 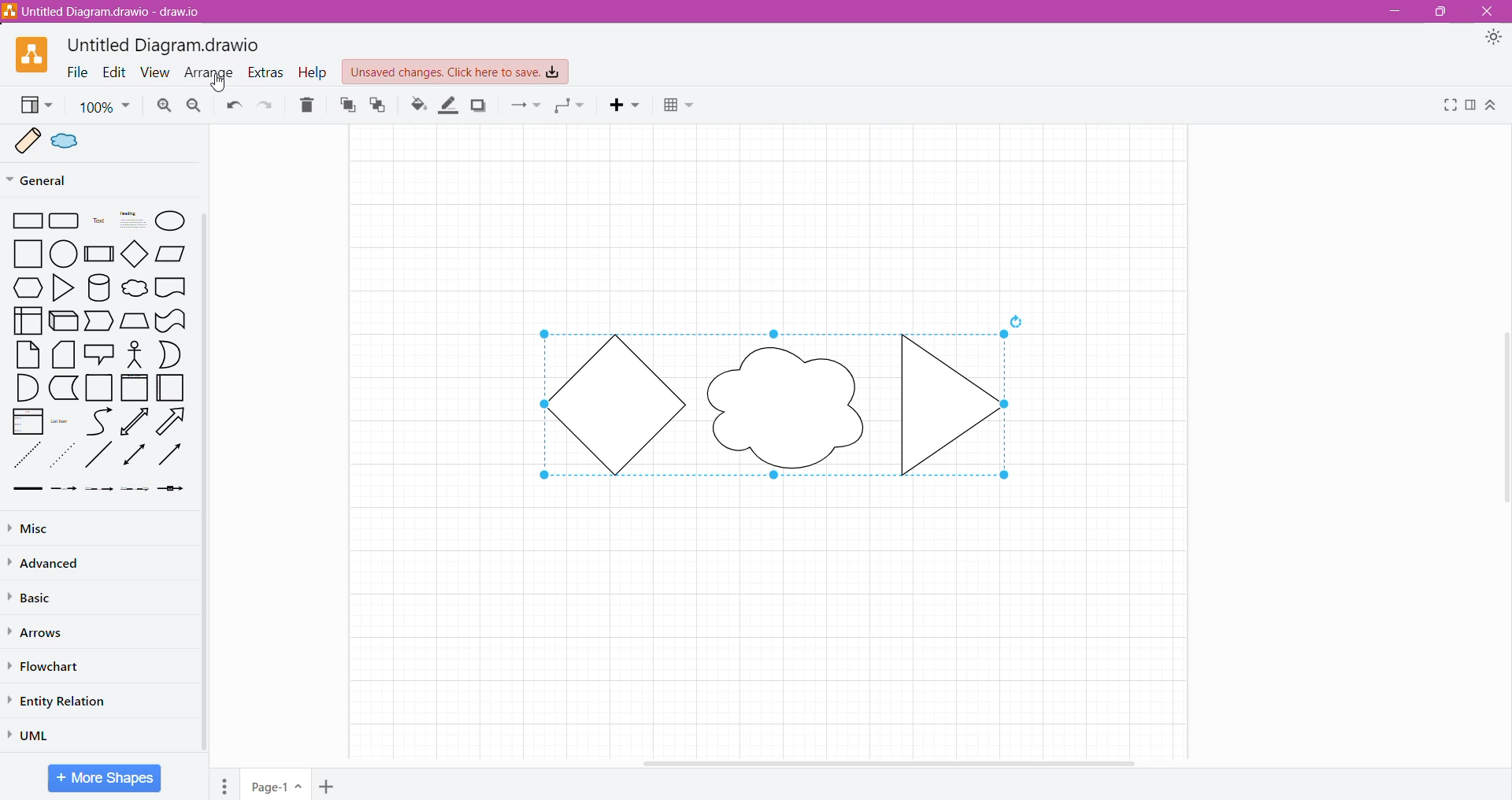 I want to click on Unsaved Changes. Click here to save, so click(x=456, y=72).